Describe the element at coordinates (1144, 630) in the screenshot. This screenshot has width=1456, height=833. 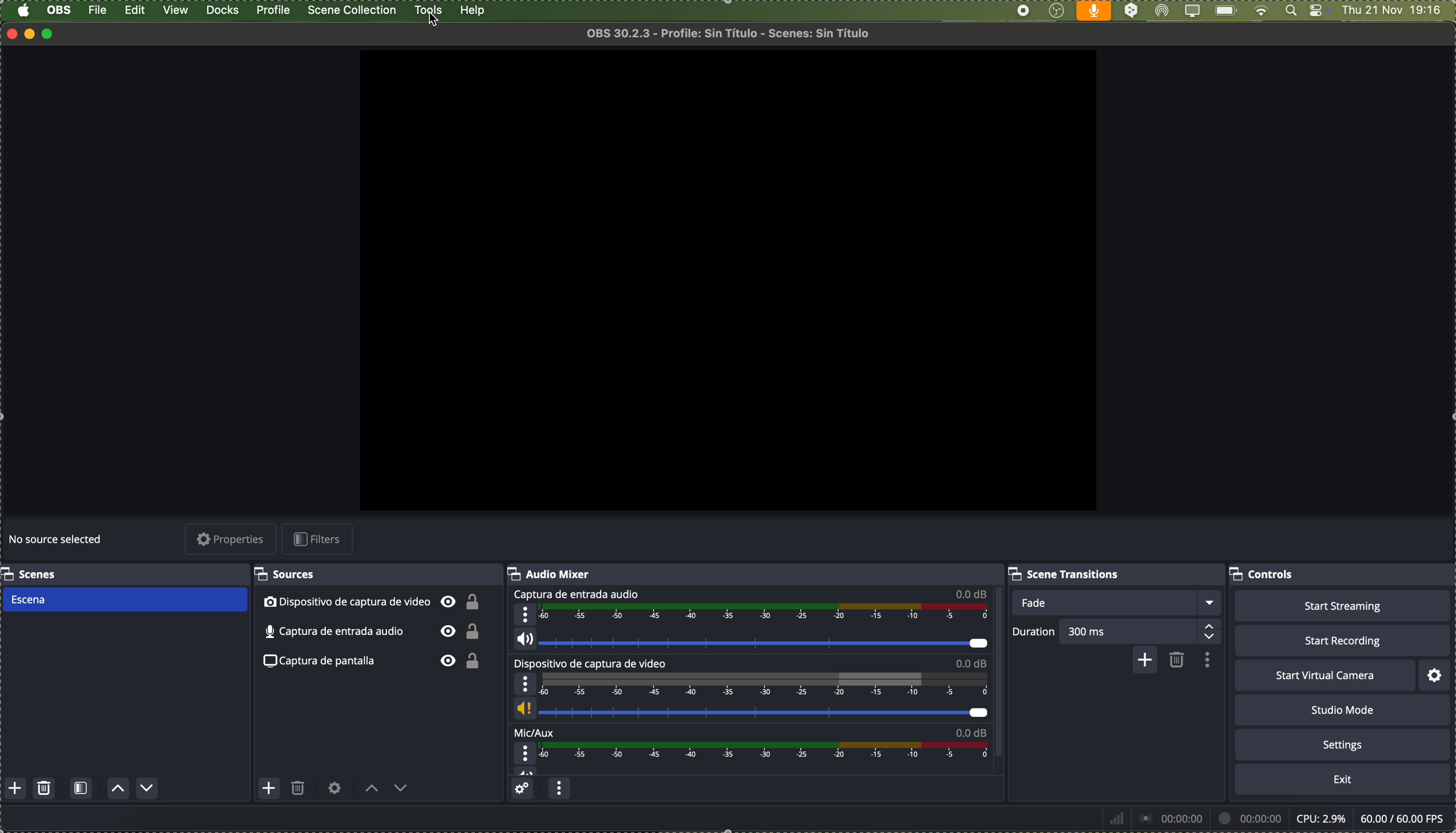
I see `300 ms` at that location.